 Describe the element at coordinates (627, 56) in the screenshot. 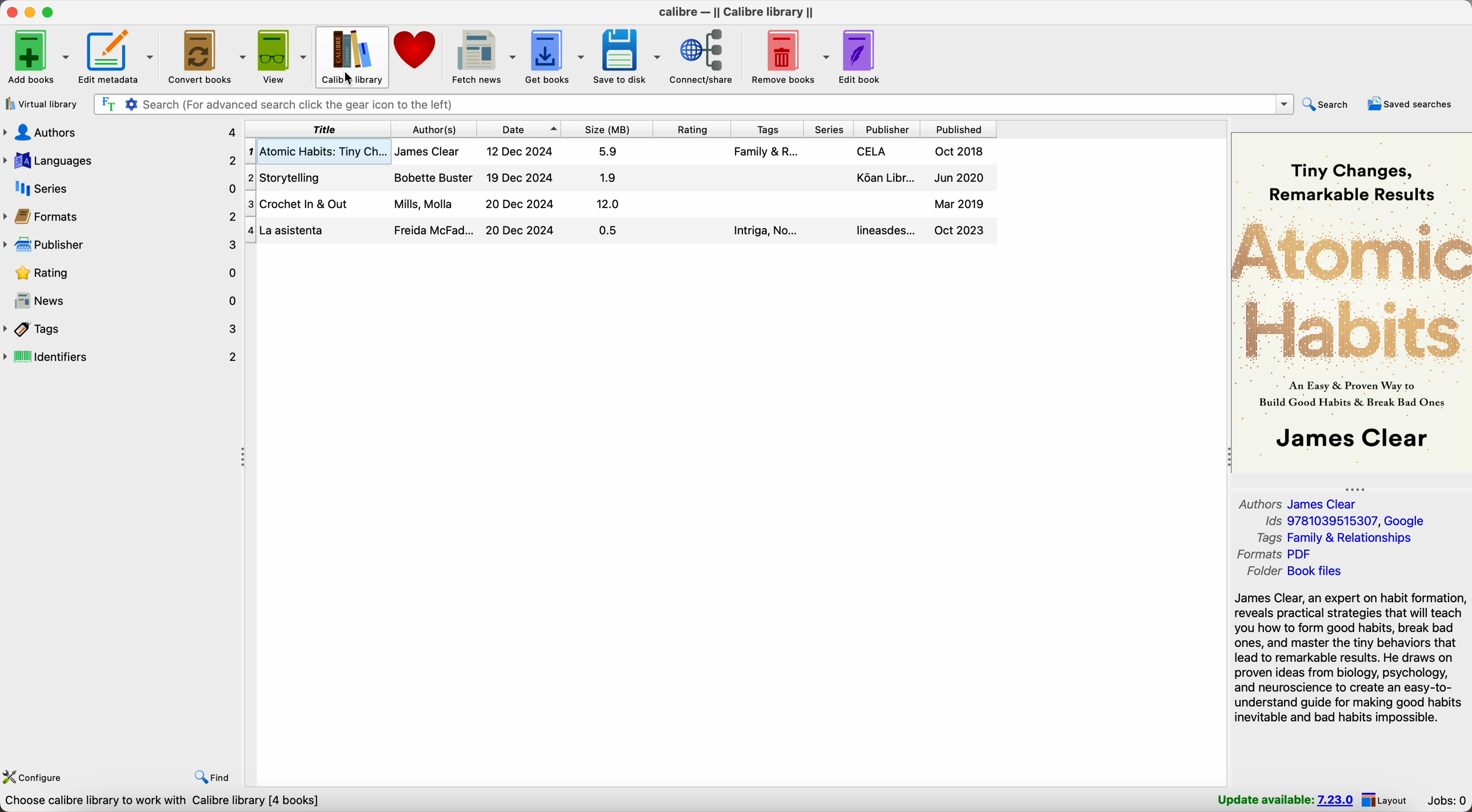

I see `save to disk` at that location.